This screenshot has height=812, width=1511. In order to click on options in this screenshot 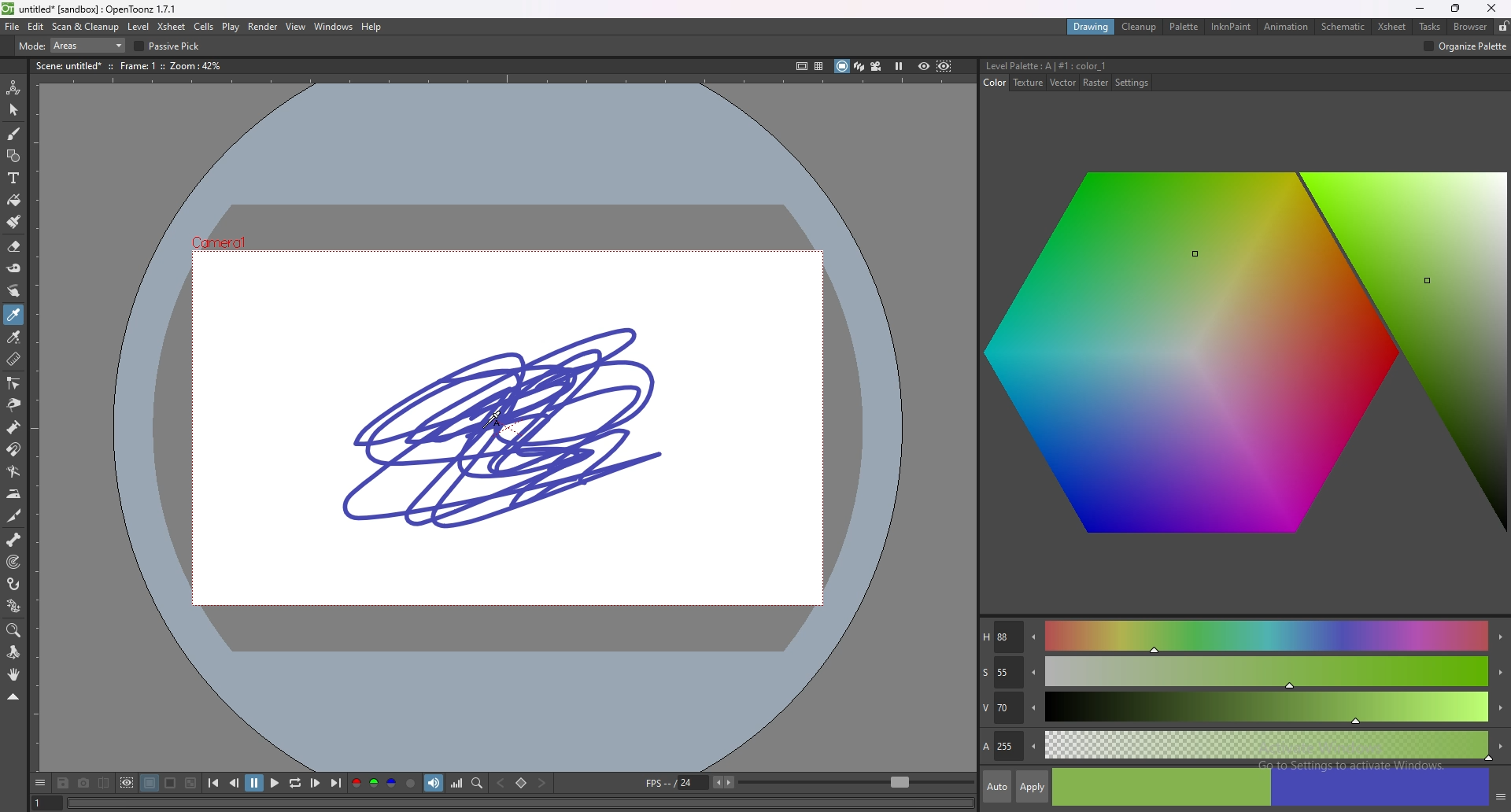, I will do `click(42, 783)`.